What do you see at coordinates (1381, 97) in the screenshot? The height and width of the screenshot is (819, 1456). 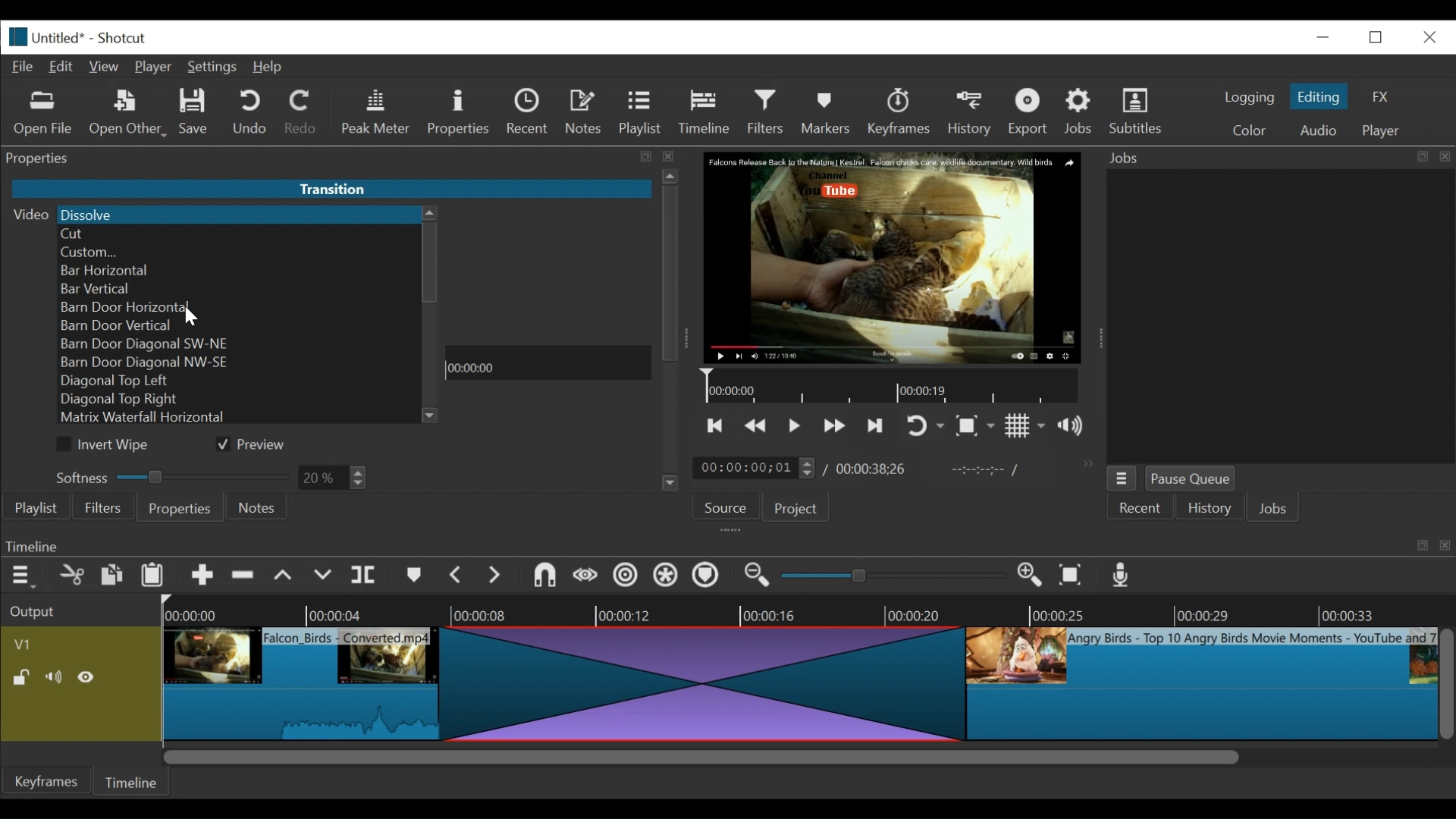 I see `FX` at bounding box center [1381, 97].